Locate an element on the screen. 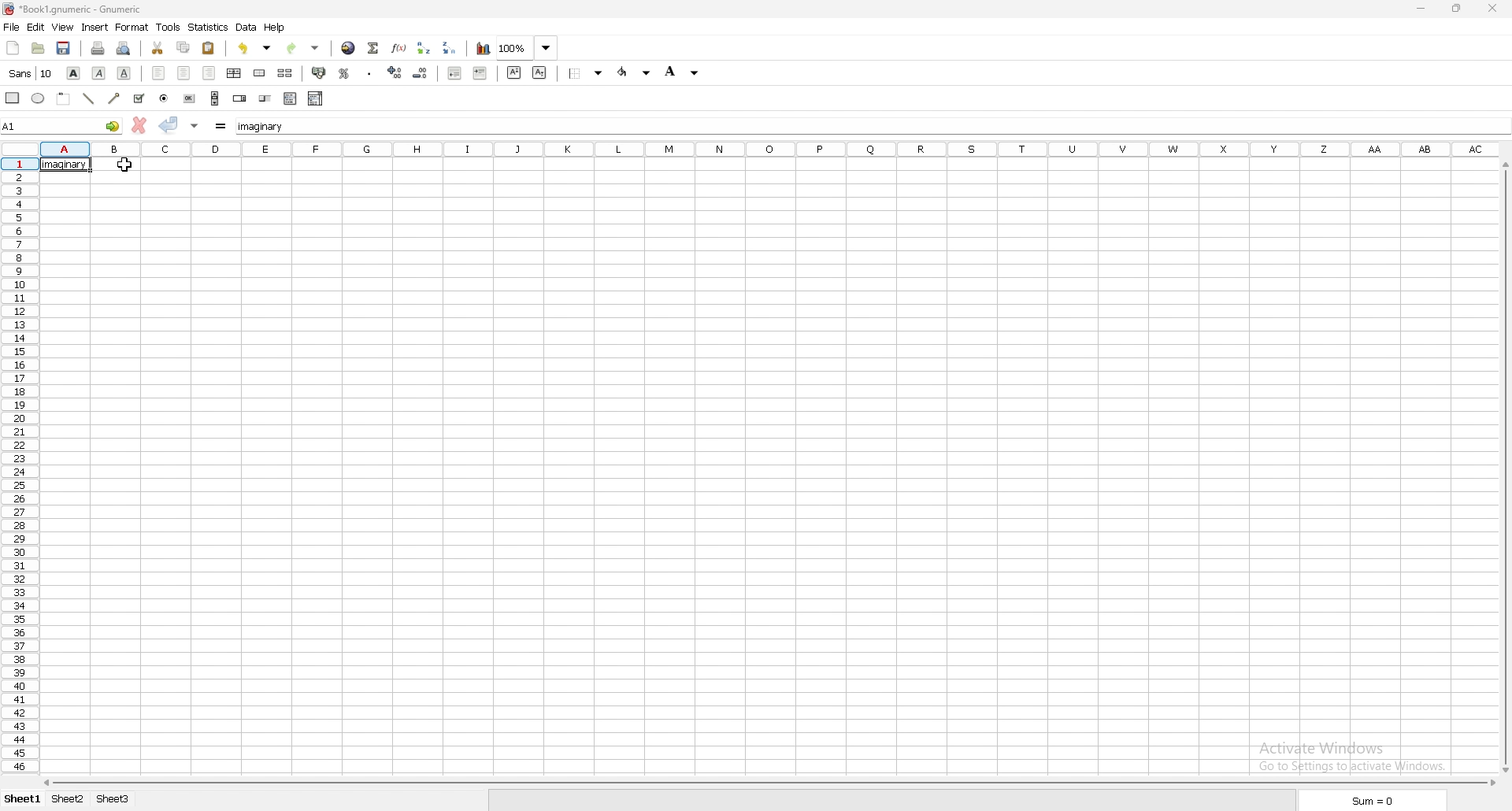  scroll bar is located at coordinates (1503, 468).